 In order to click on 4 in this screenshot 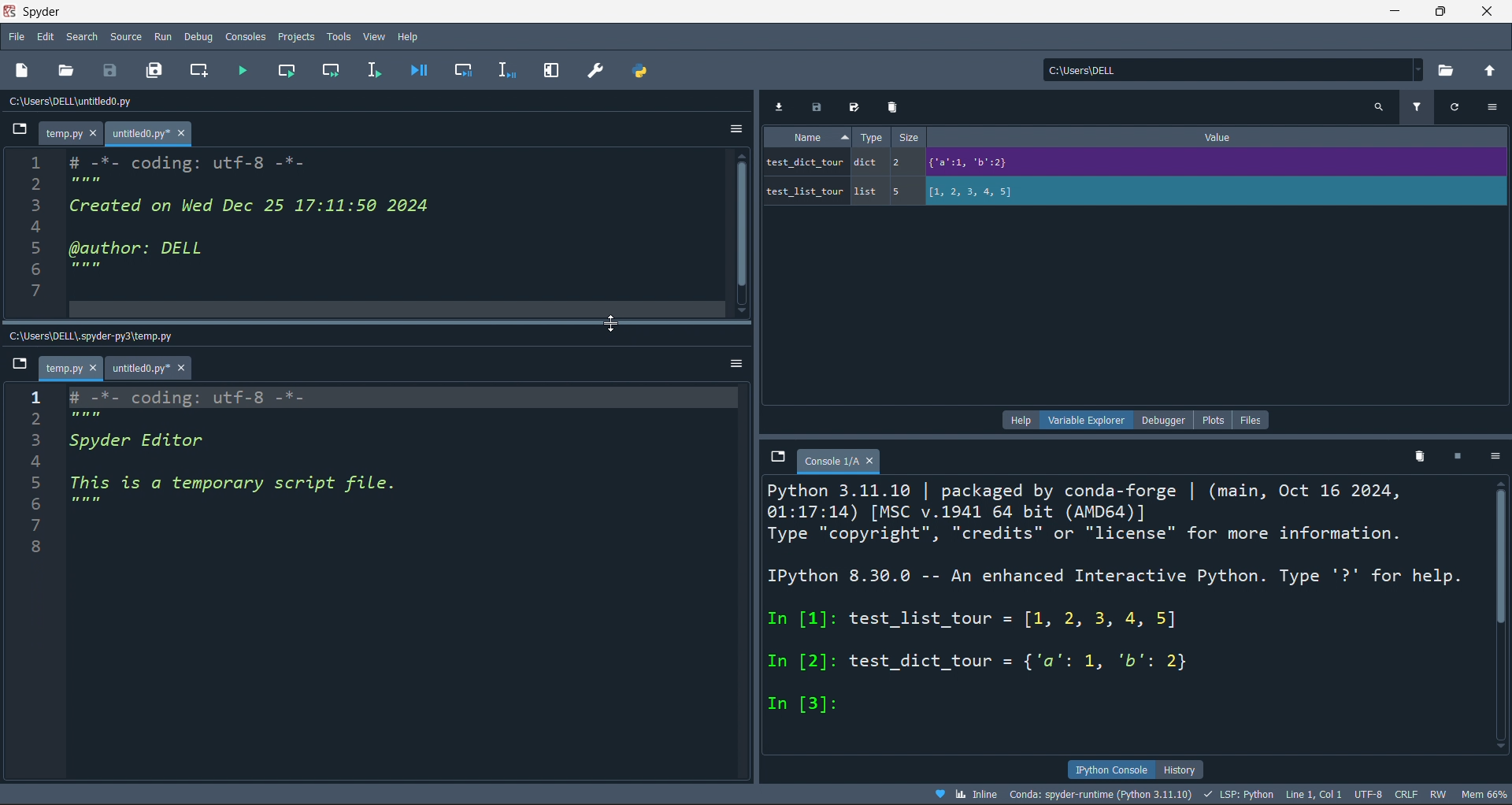, I will do `click(45, 227)`.